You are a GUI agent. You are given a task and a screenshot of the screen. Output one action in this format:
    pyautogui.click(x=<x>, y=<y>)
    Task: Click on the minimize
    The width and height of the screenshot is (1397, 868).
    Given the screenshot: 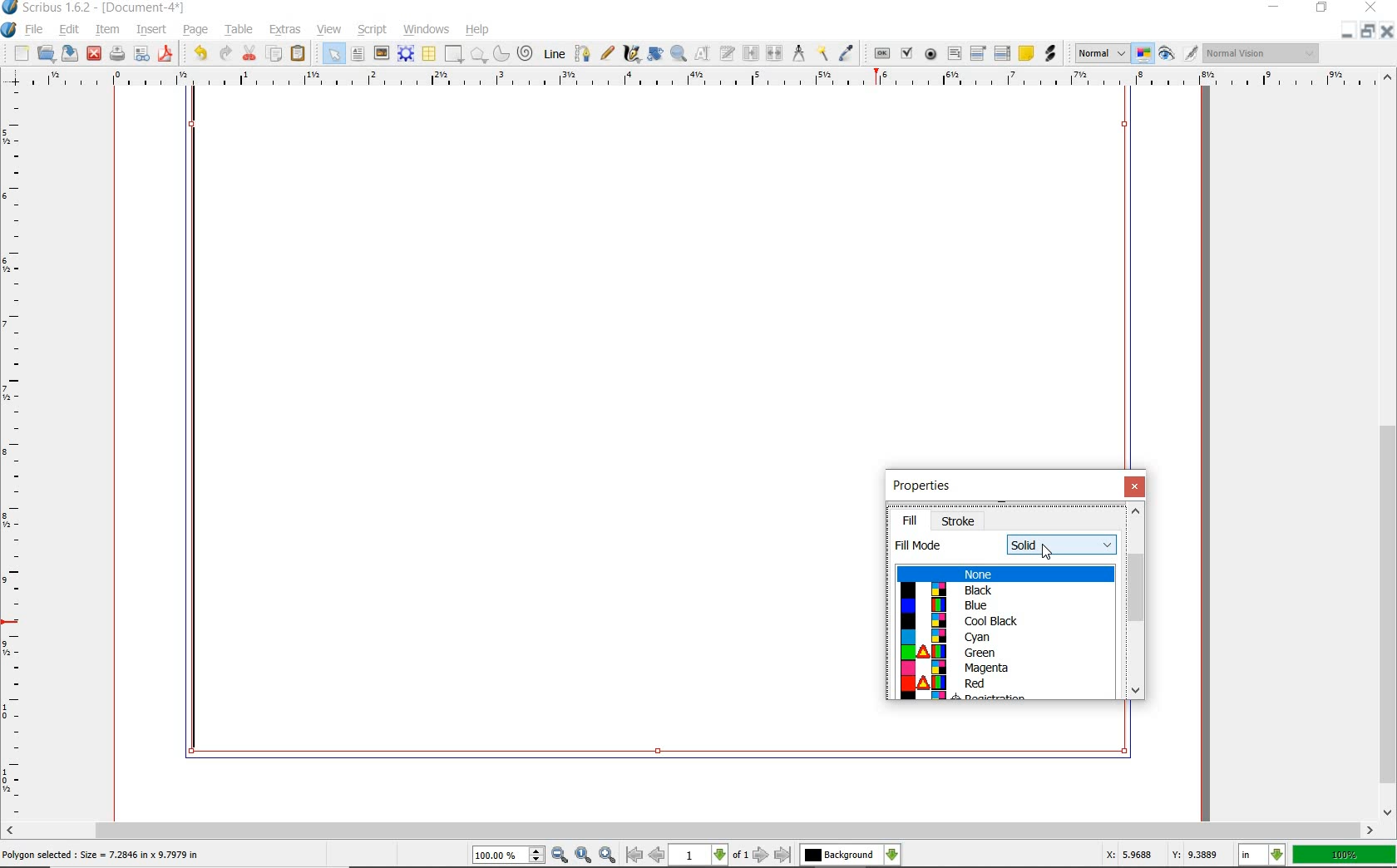 What is the action you would take?
    pyautogui.click(x=1275, y=7)
    